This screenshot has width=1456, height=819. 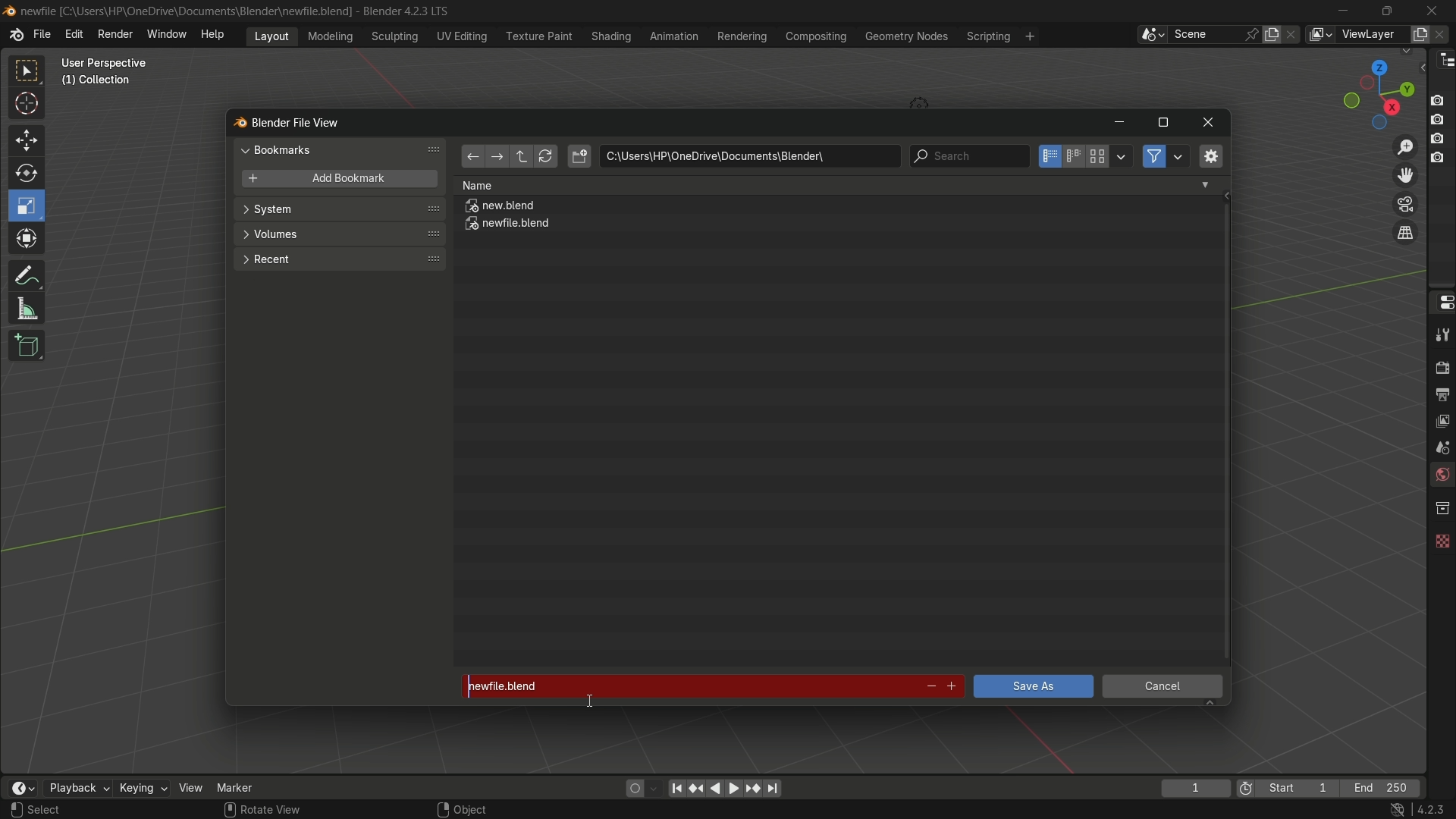 I want to click on newfile.blend file, so click(x=509, y=226).